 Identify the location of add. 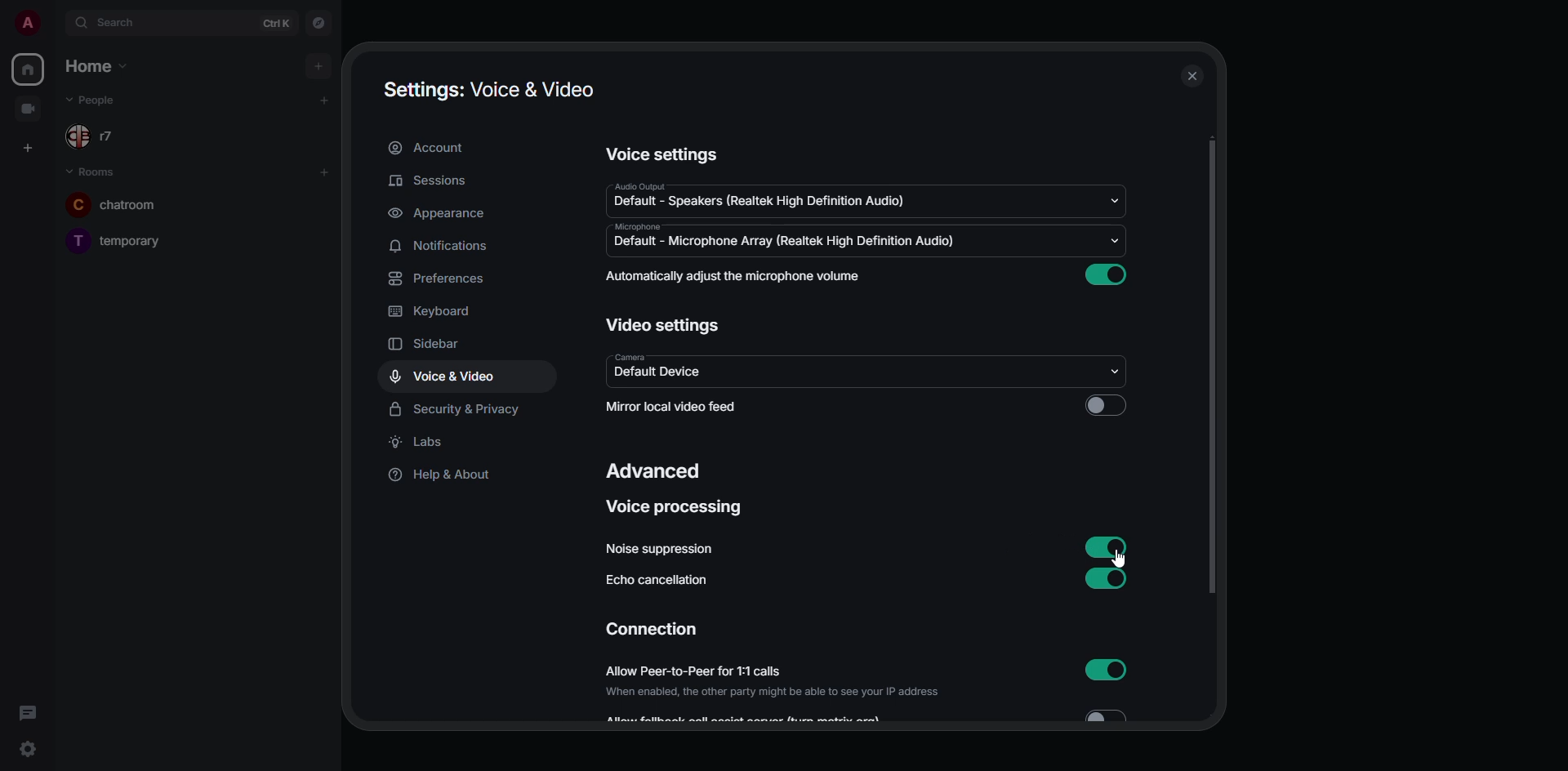
(324, 172).